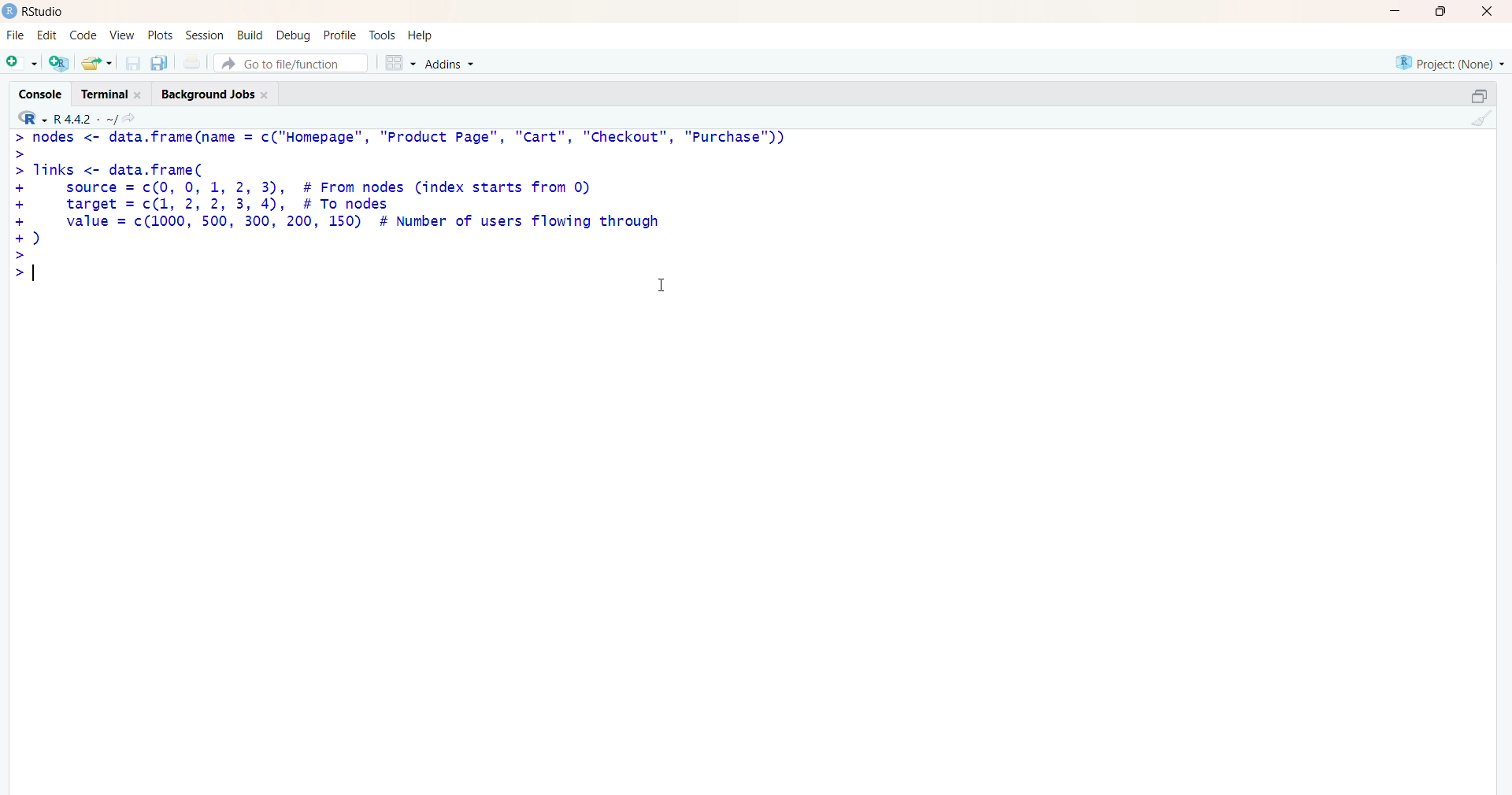 The width and height of the screenshot is (1512, 795). What do you see at coordinates (202, 36) in the screenshot?
I see `session` at bounding box center [202, 36].